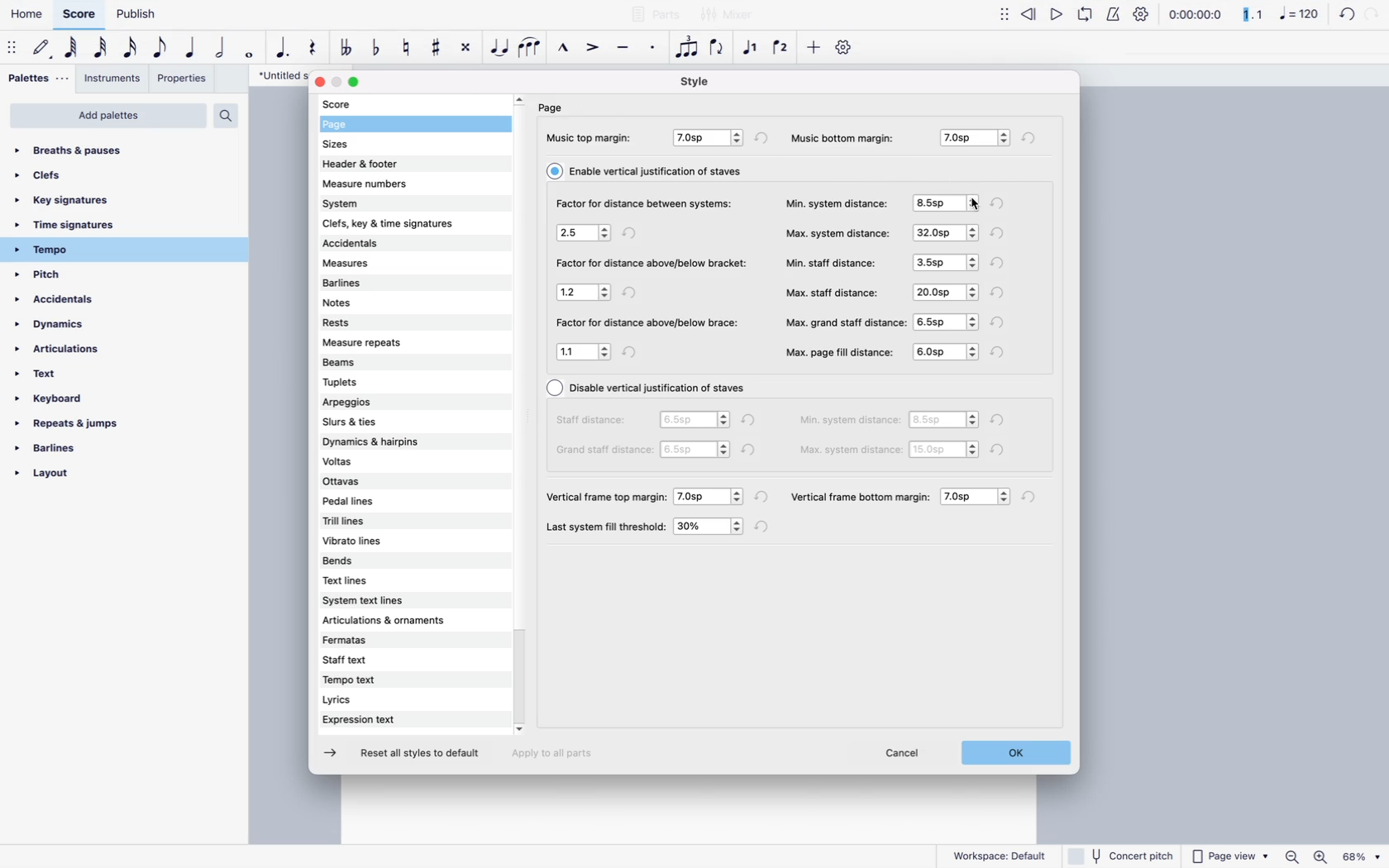 The width and height of the screenshot is (1389, 868). I want to click on lyrics, so click(379, 701).